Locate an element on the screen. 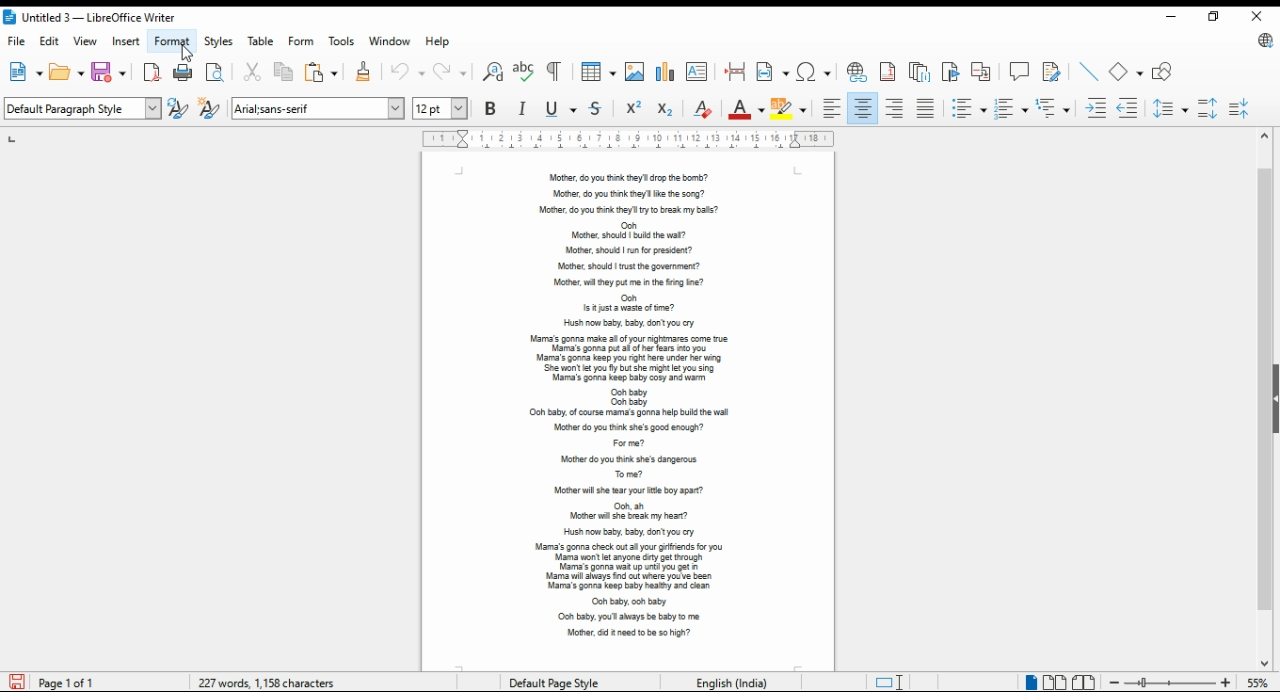 The width and height of the screenshot is (1280, 692). toggle cursor is located at coordinates (887, 681).